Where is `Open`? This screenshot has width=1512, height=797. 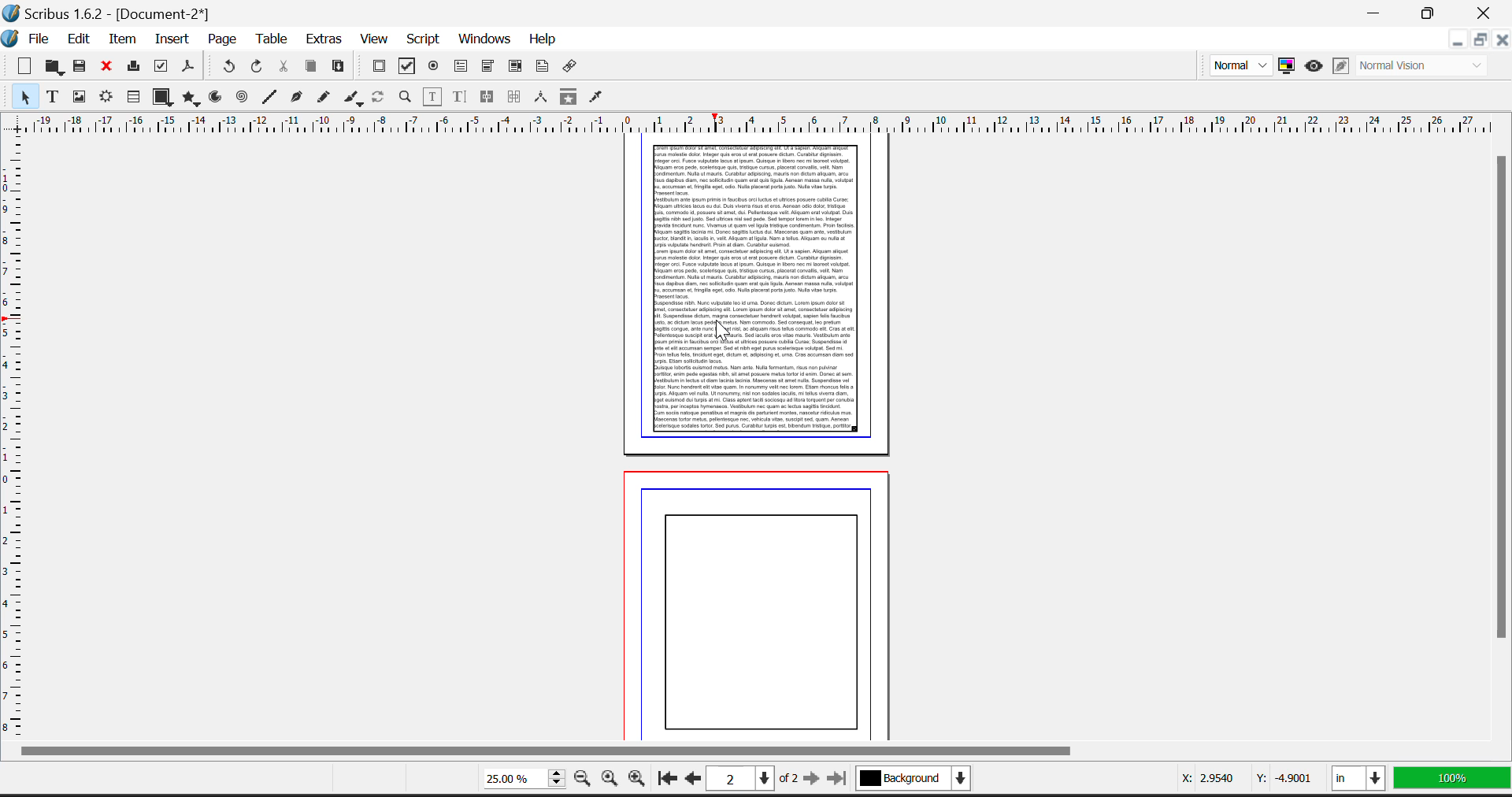 Open is located at coordinates (54, 67).